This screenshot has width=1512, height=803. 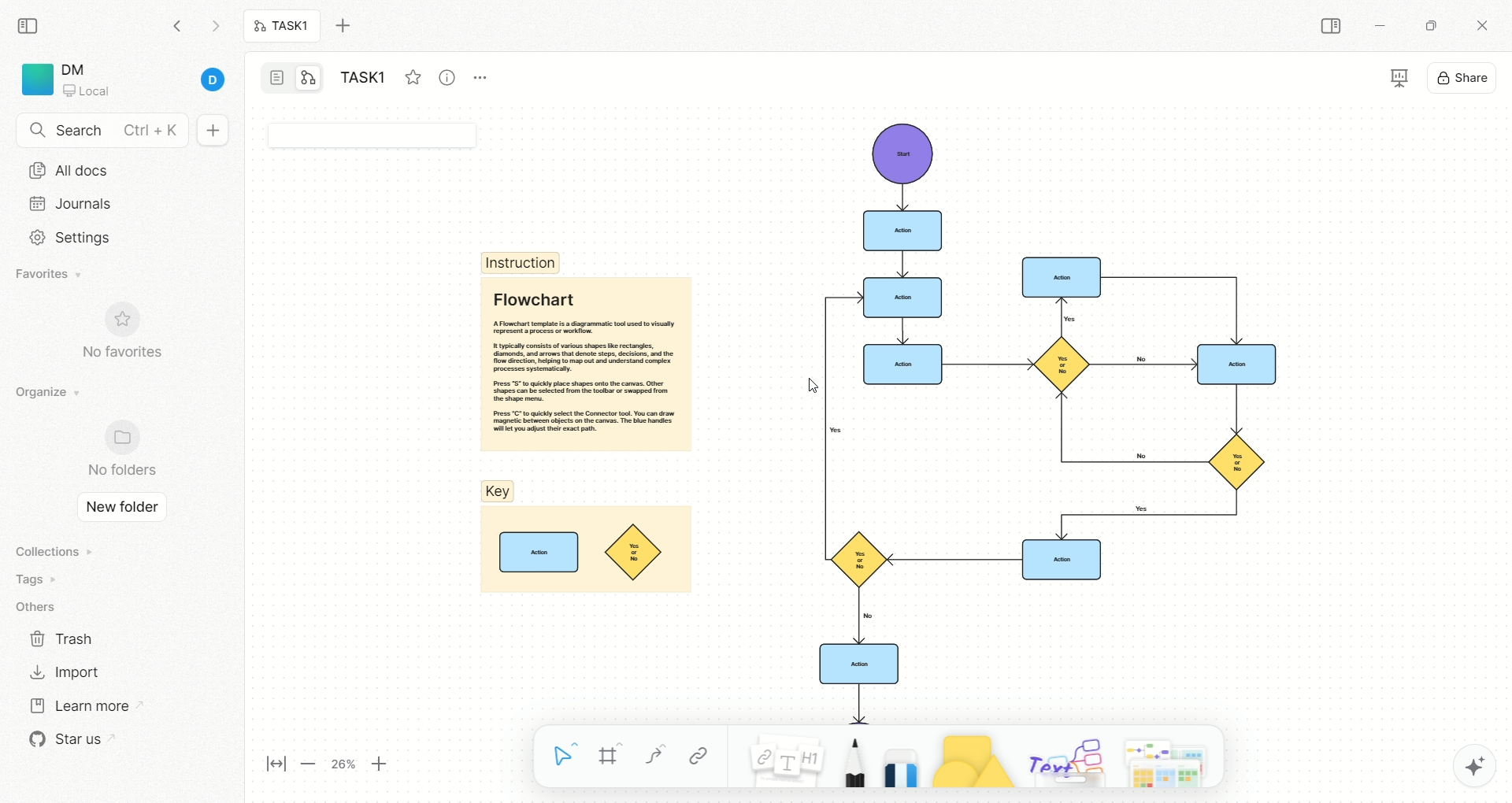 I want to click on all docs, so click(x=69, y=170).